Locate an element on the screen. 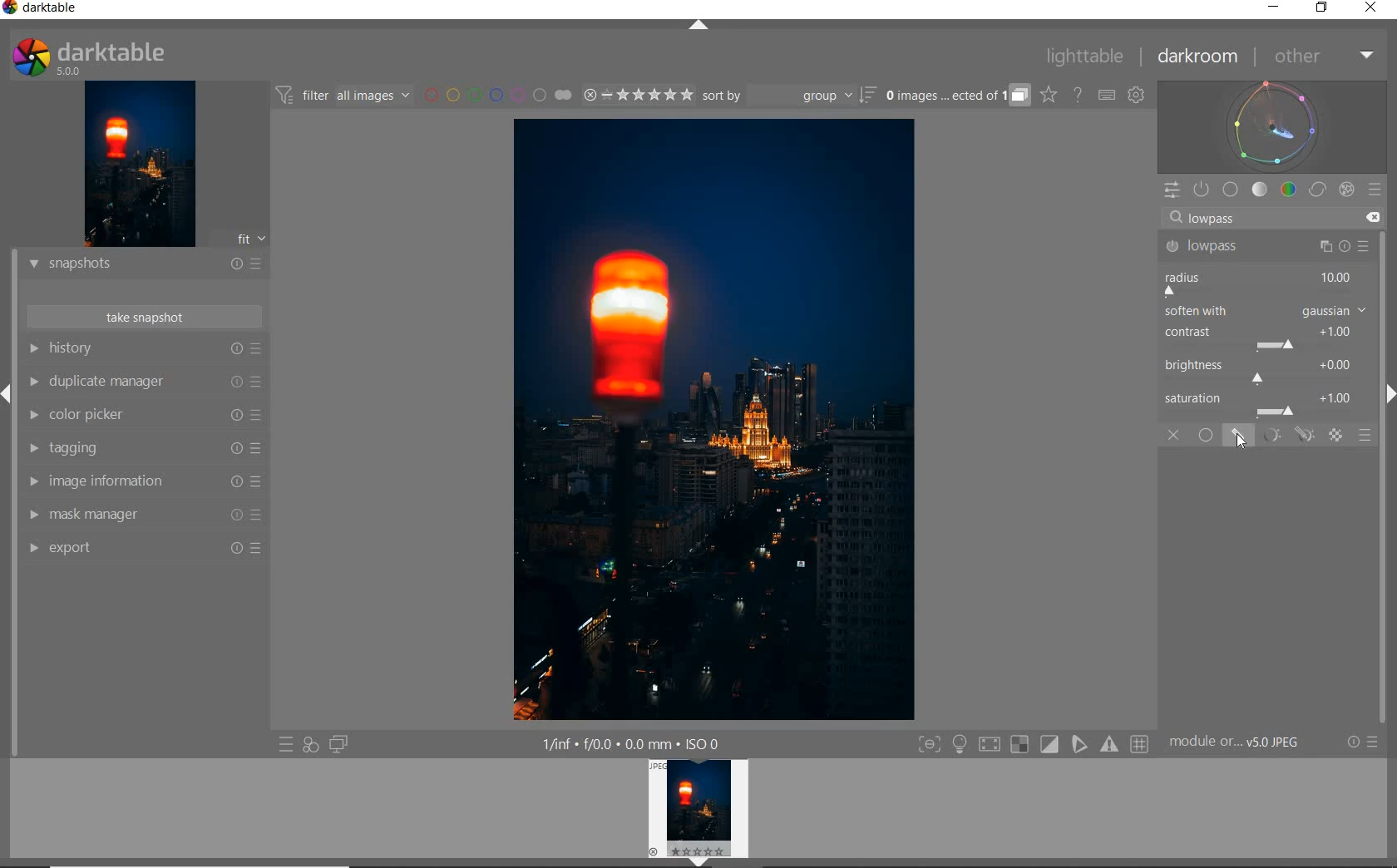 The height and width of the screenshot is (868, 1397). MASK MANAGER is located at coordinates (109, 514).